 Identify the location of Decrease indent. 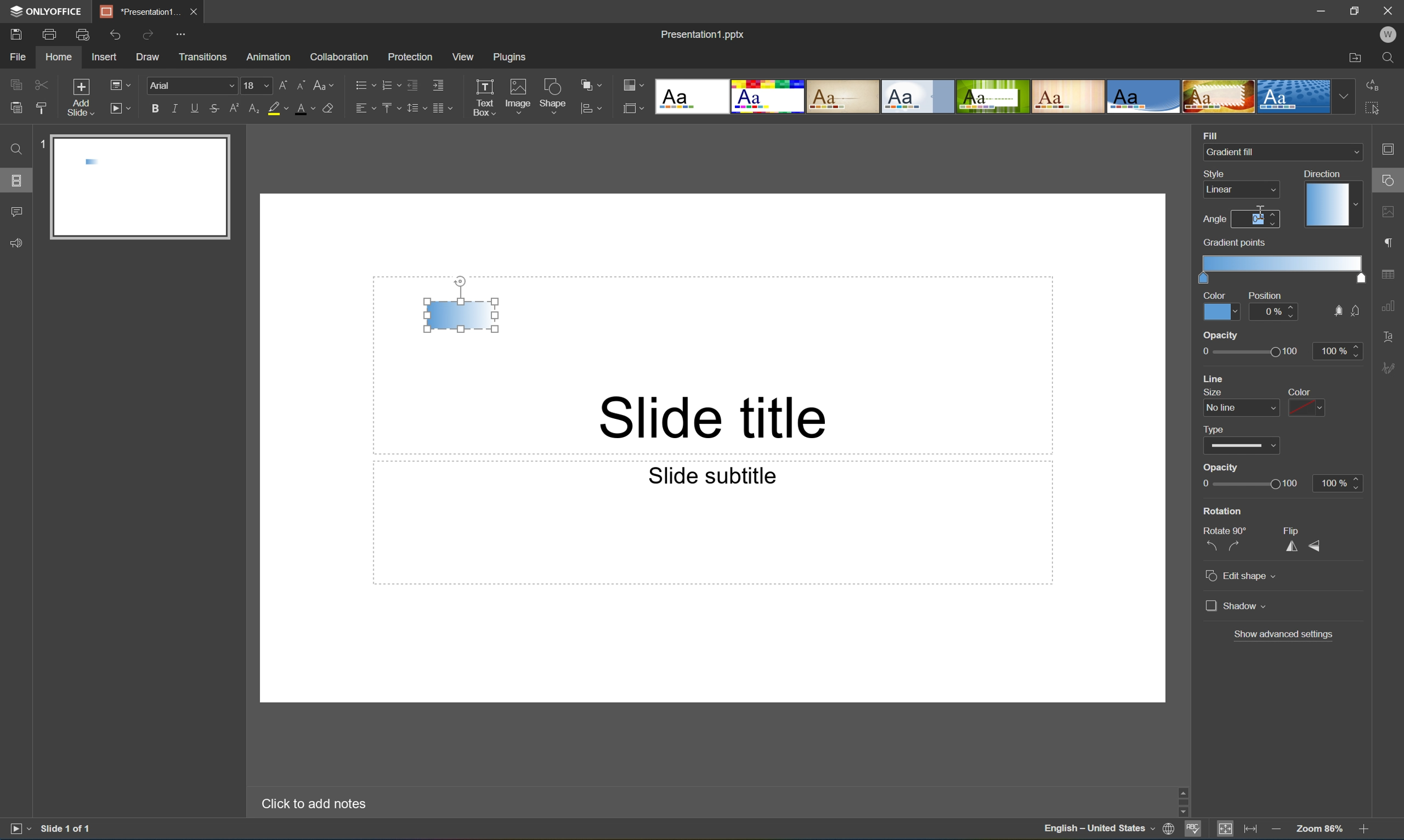
(412, 84).